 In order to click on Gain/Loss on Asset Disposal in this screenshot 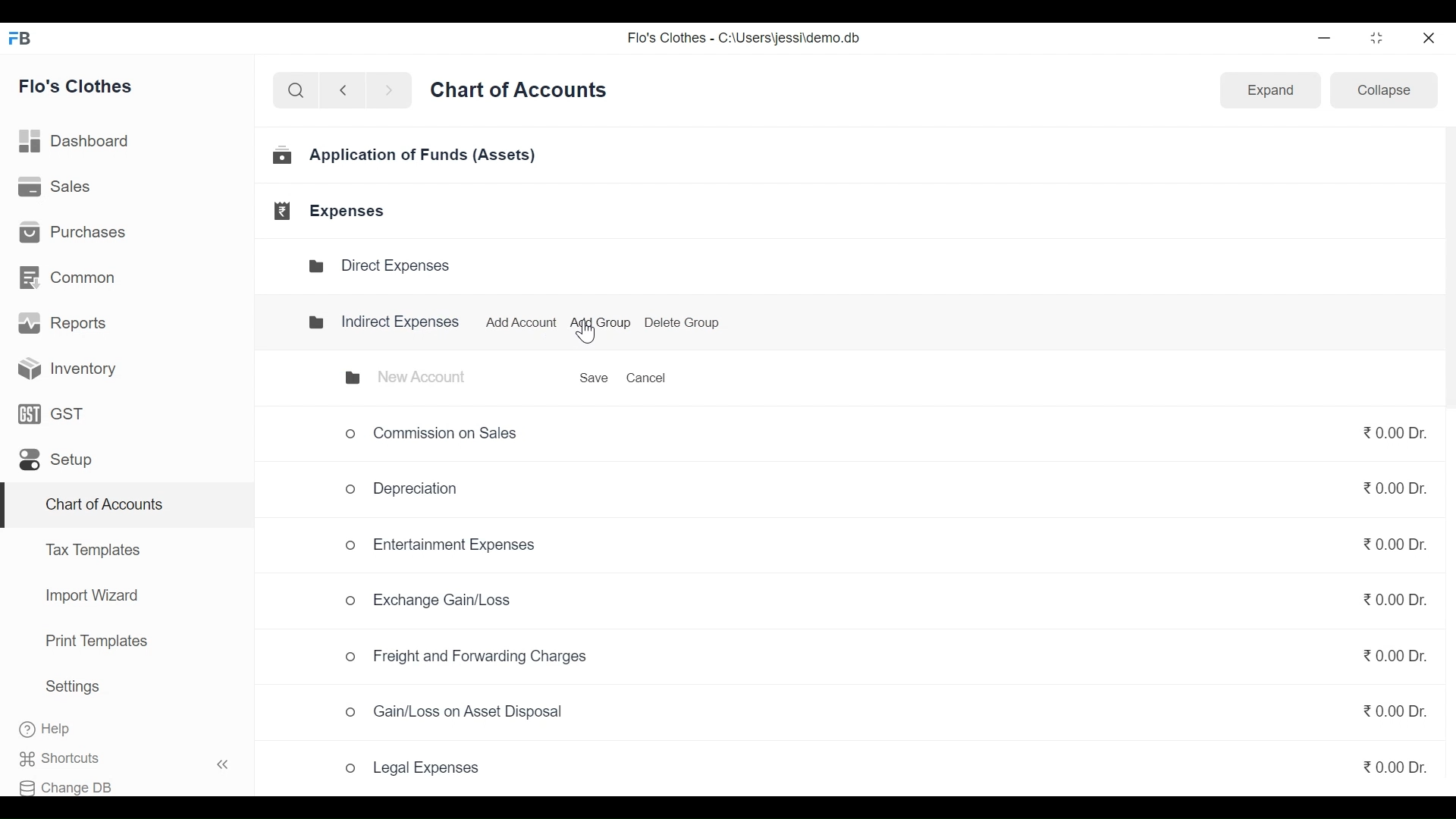, I will do `click(454, 715)`.